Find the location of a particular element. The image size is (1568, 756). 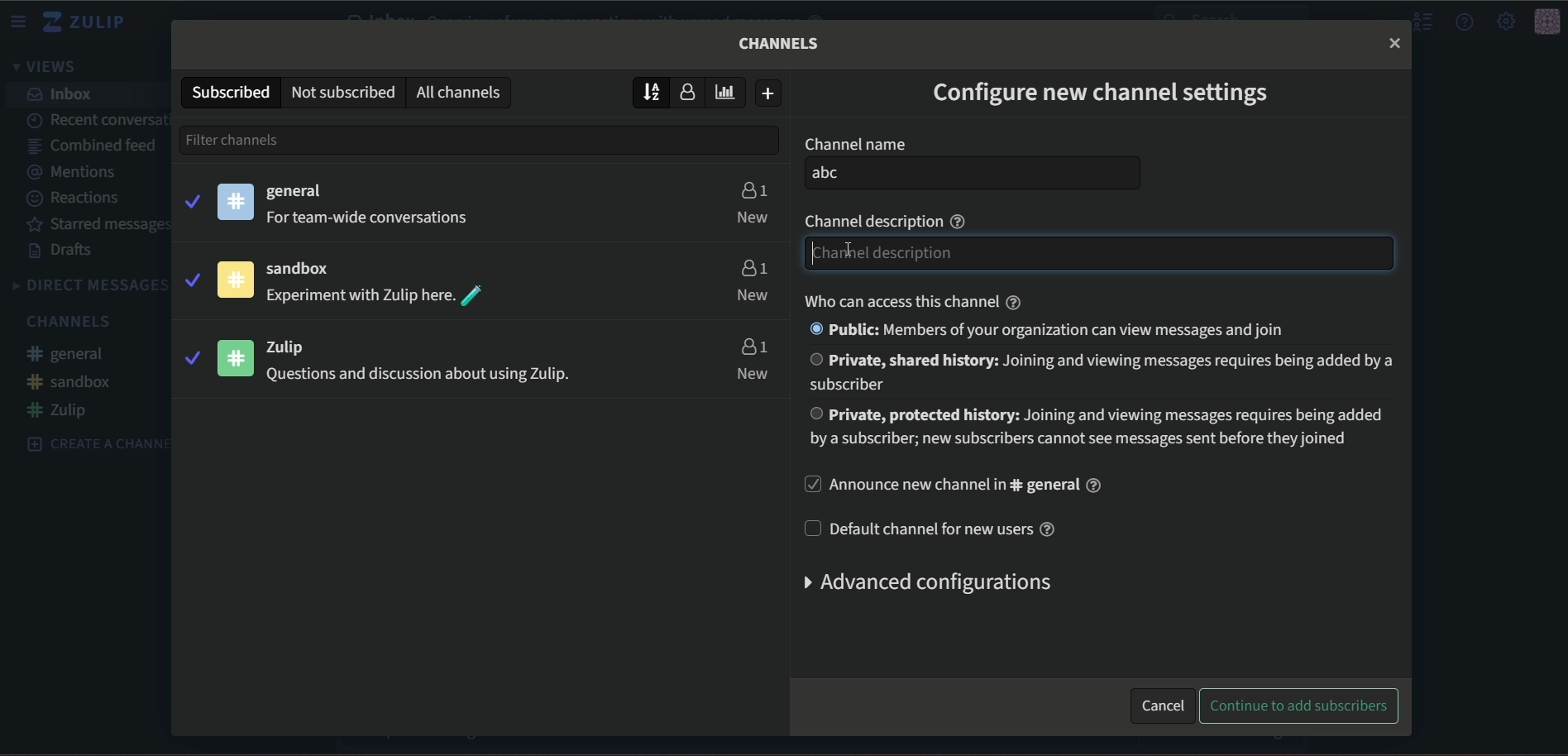

| Default channel for new users is located at coordinates (930, 528).